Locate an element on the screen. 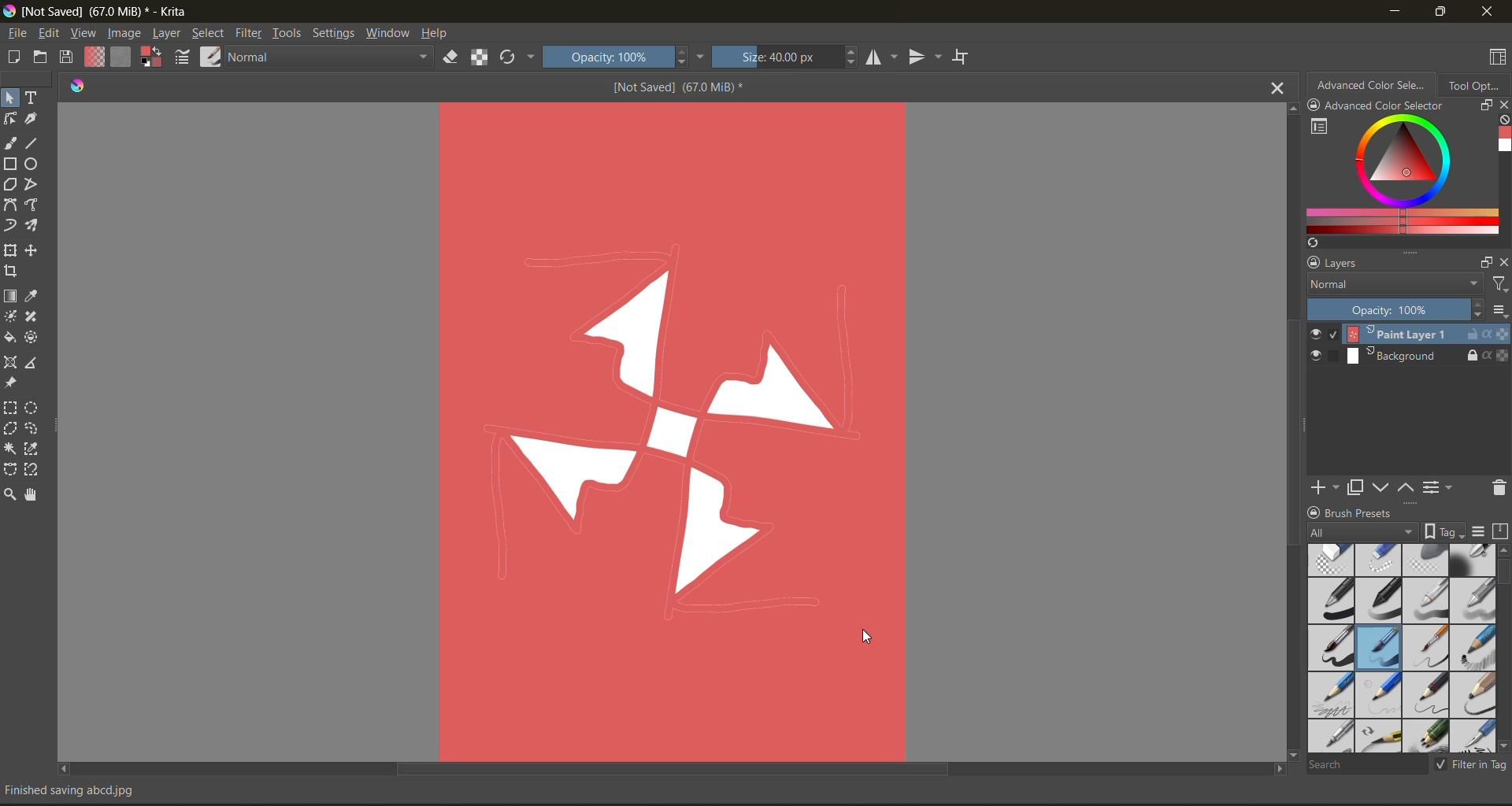  image is located at coordinates (125, 34).